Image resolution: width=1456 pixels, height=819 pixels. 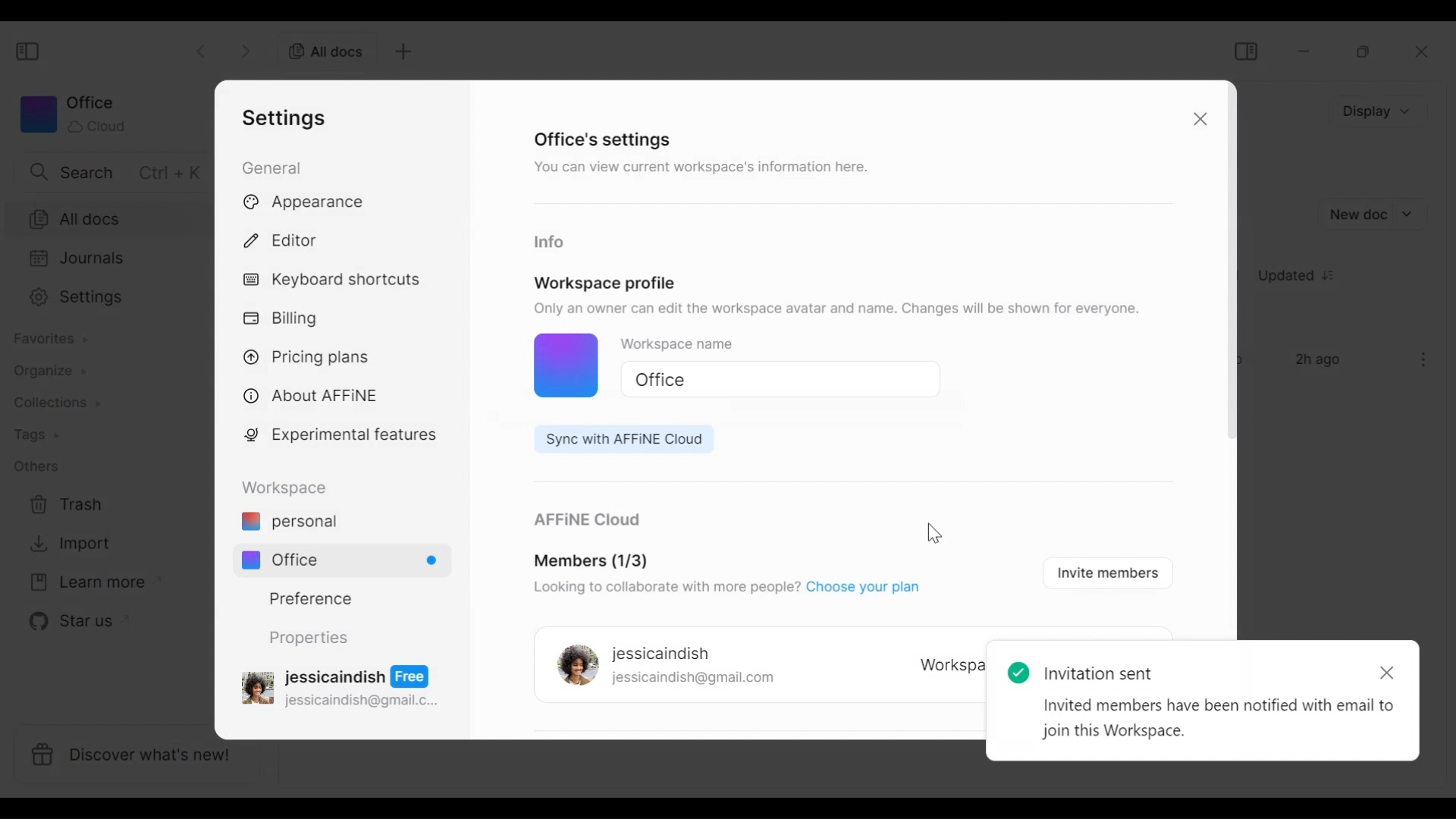 I want to click on General, so click(x=275, y=167).